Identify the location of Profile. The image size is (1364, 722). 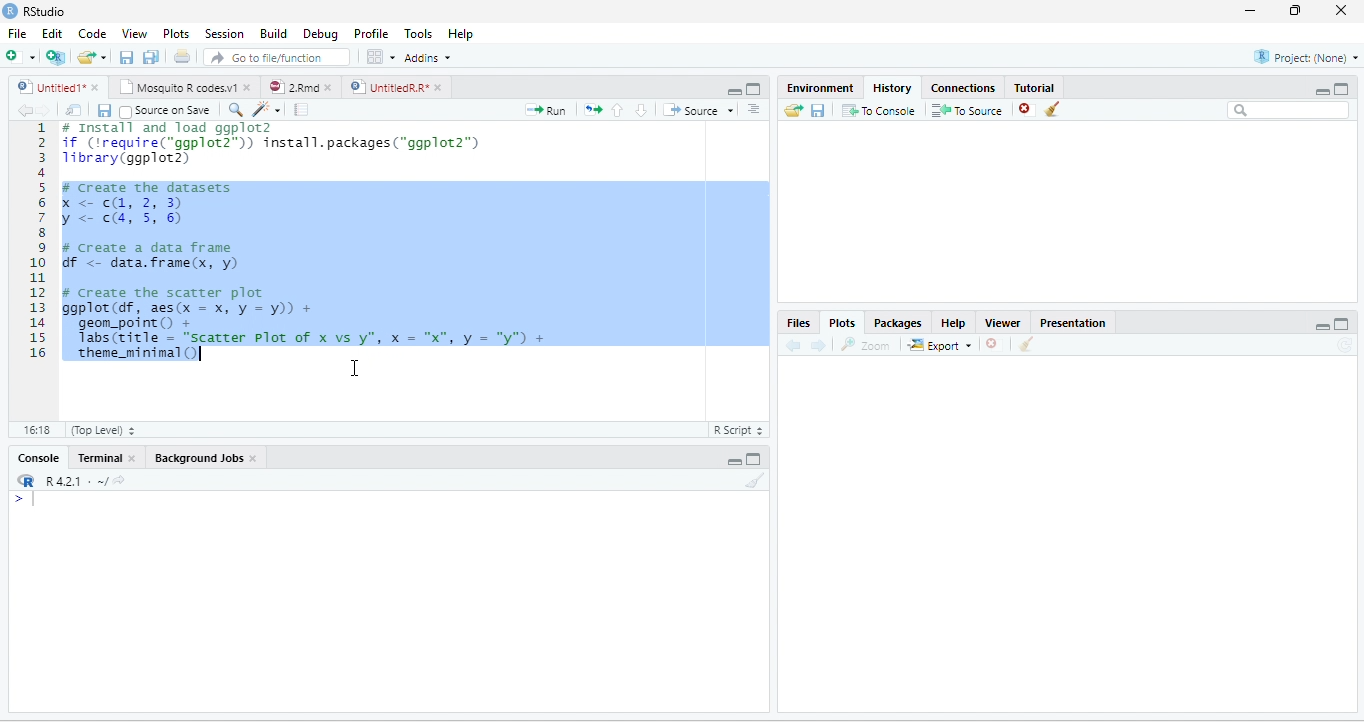
(371, 33).